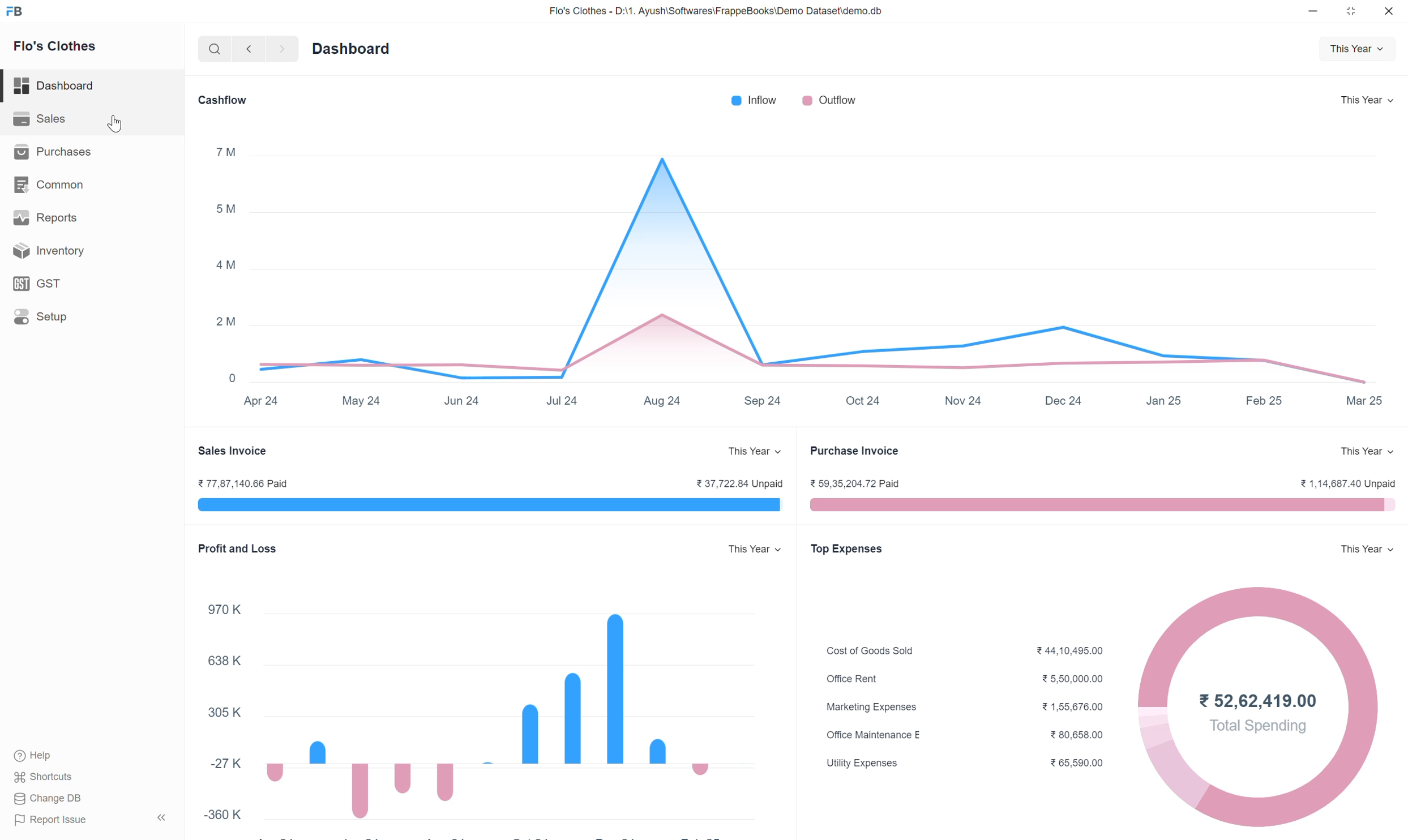 The width and height of the screenshot is (1408, 840). Describe the element at coordinates (39, 778) in the screenshot. I see `Shortcuts` at that location.